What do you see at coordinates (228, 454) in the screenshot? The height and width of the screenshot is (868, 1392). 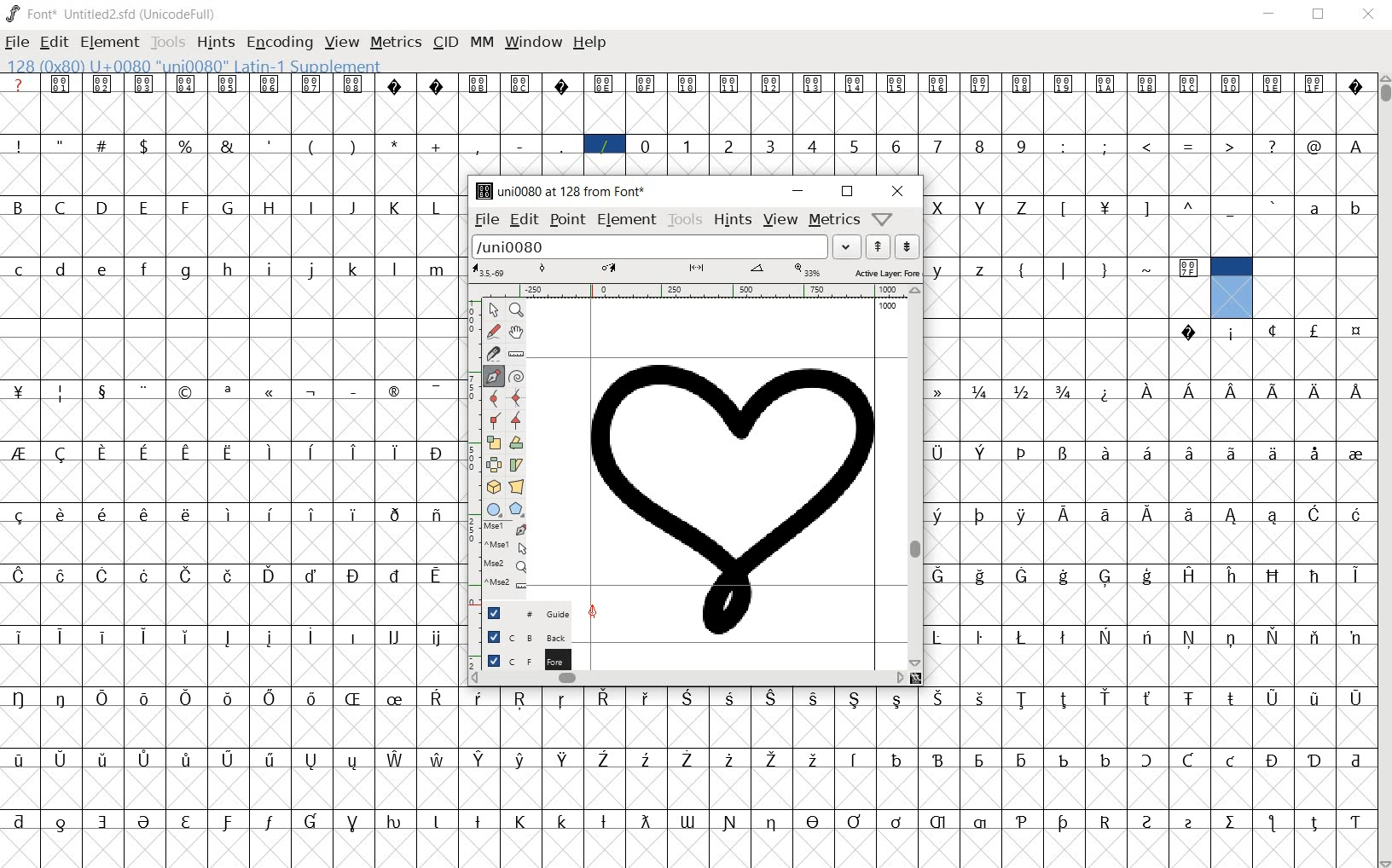 I see `glyph` at bounding box center [228, 454].